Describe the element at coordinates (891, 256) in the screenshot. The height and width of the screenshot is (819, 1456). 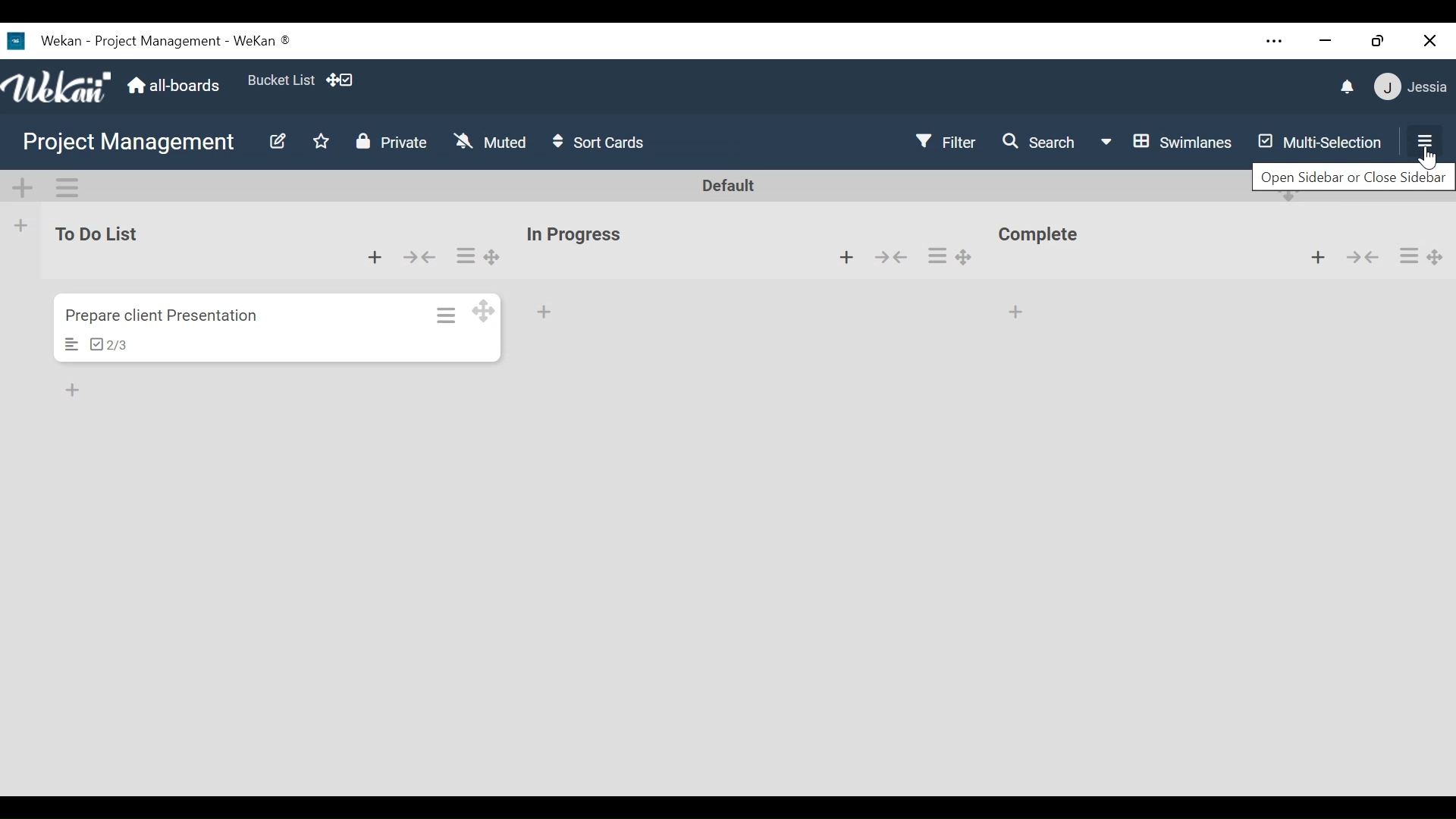
I see `Collapse` at that location.